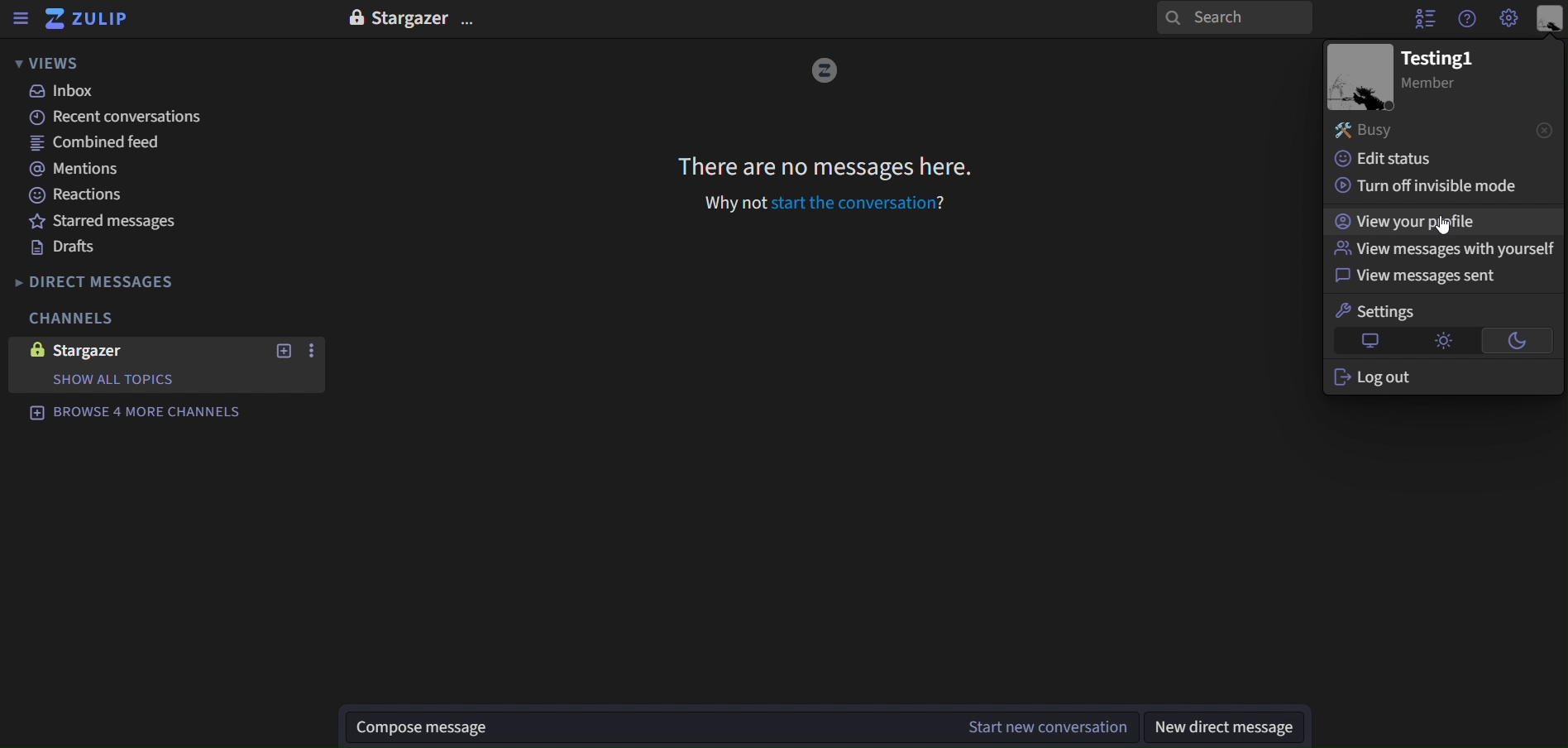 Image resolution: width=1568 pixels, height=748 pixels. What do you see at coordinates (65, 93) in the screenshot?
I see `inbox` at bounding box center [65, 93].